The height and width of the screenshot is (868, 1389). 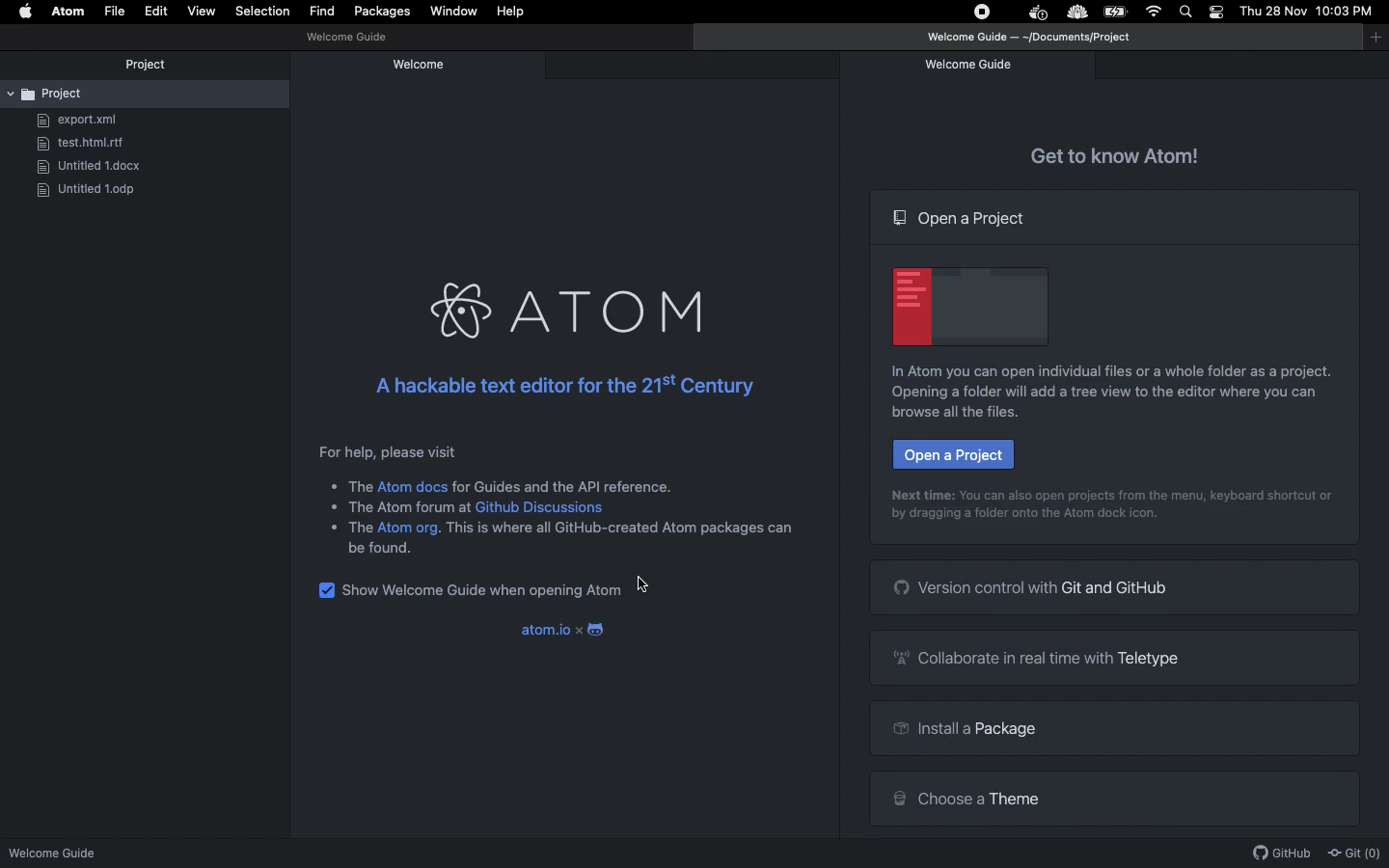 What do you see at coordinates (1100, 374) in the screenshot?
I see `Instructional text` at bounding box center [1100, 374].